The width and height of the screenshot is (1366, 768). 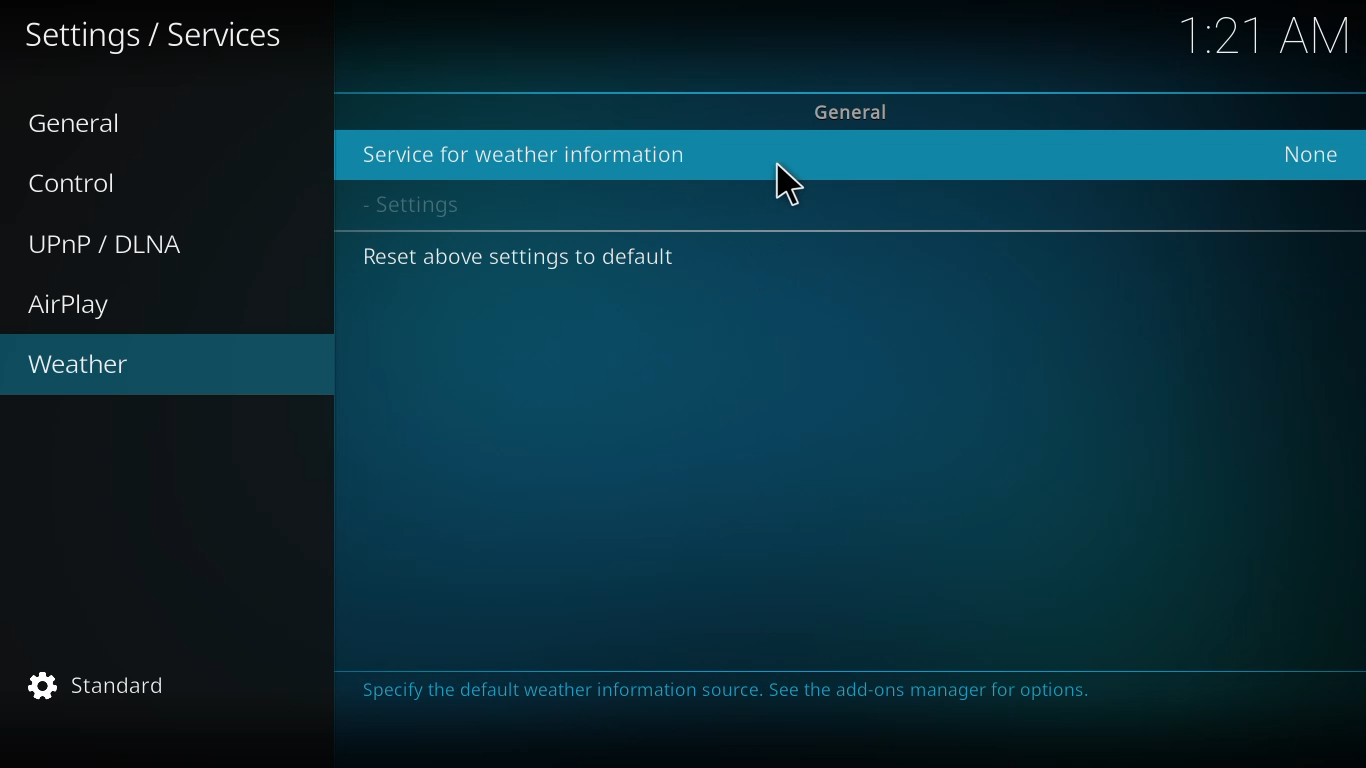 I want to click on airplay, so click(x=73, y=306).